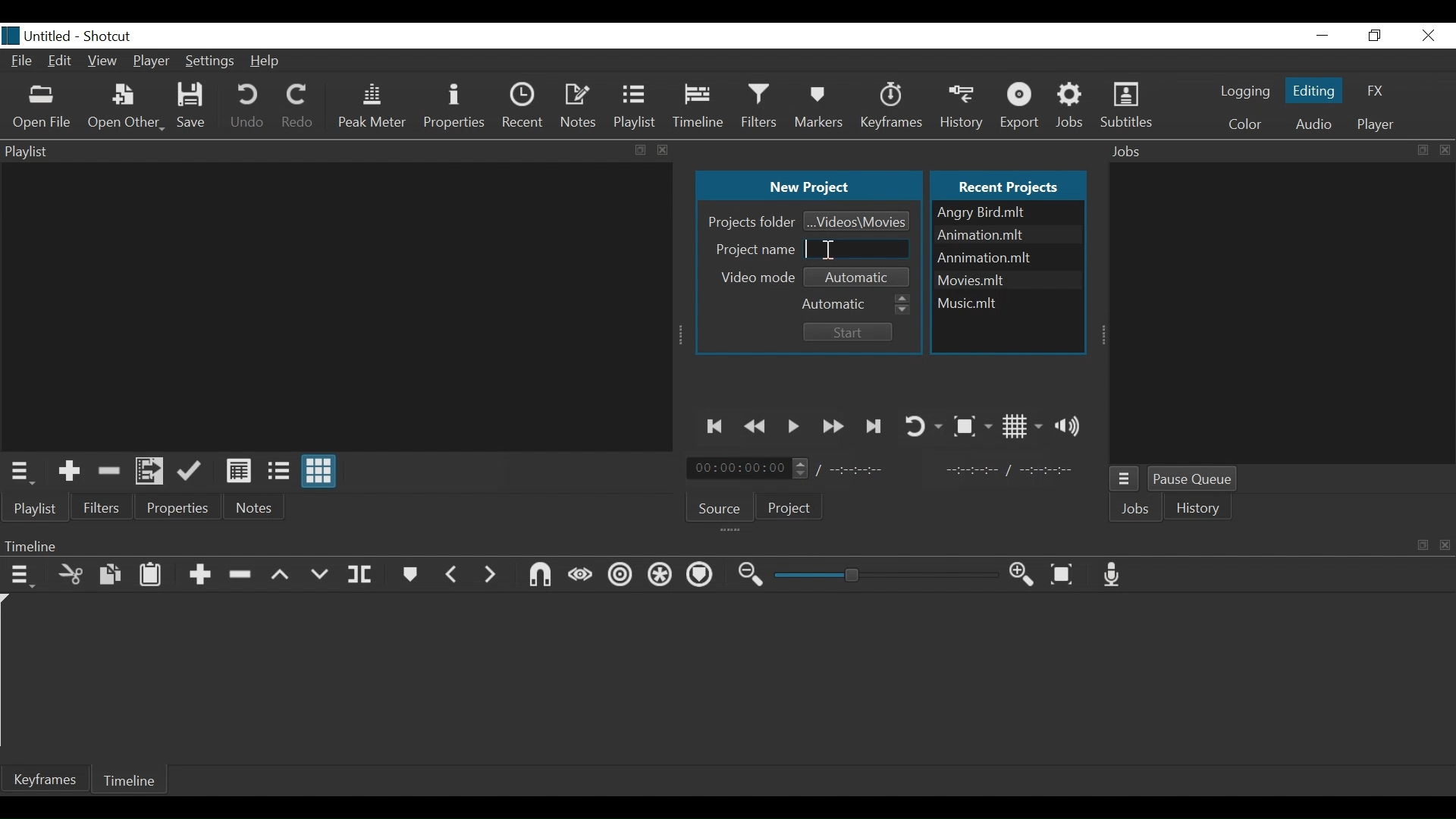  What do you see at coordinates (110, 35) in the screenshot?
I see `Shotcut` at bounding box center [110, 35].